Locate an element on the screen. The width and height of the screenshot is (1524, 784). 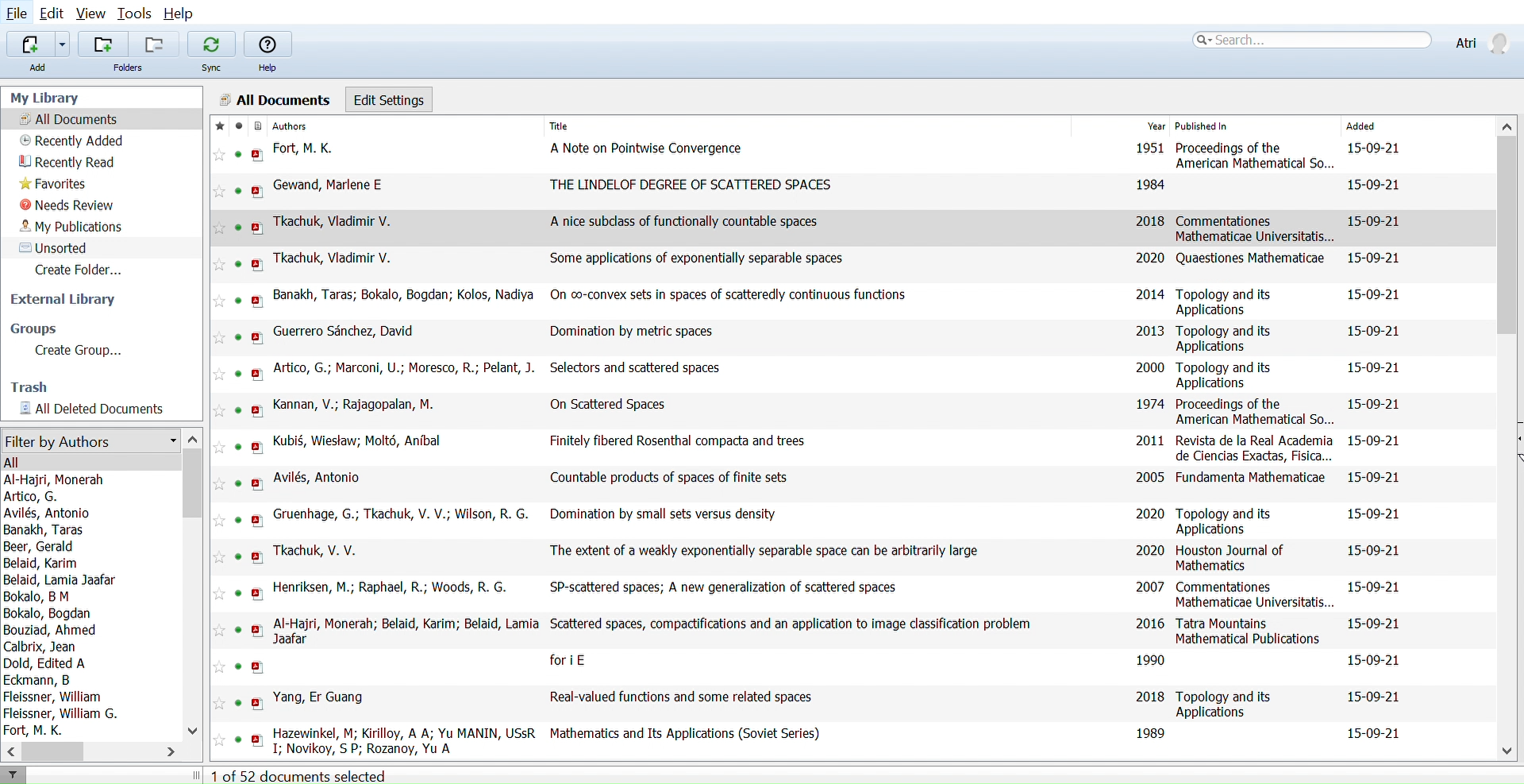
Real-valued functions and some related spaces is located at coordinates (679, 697).